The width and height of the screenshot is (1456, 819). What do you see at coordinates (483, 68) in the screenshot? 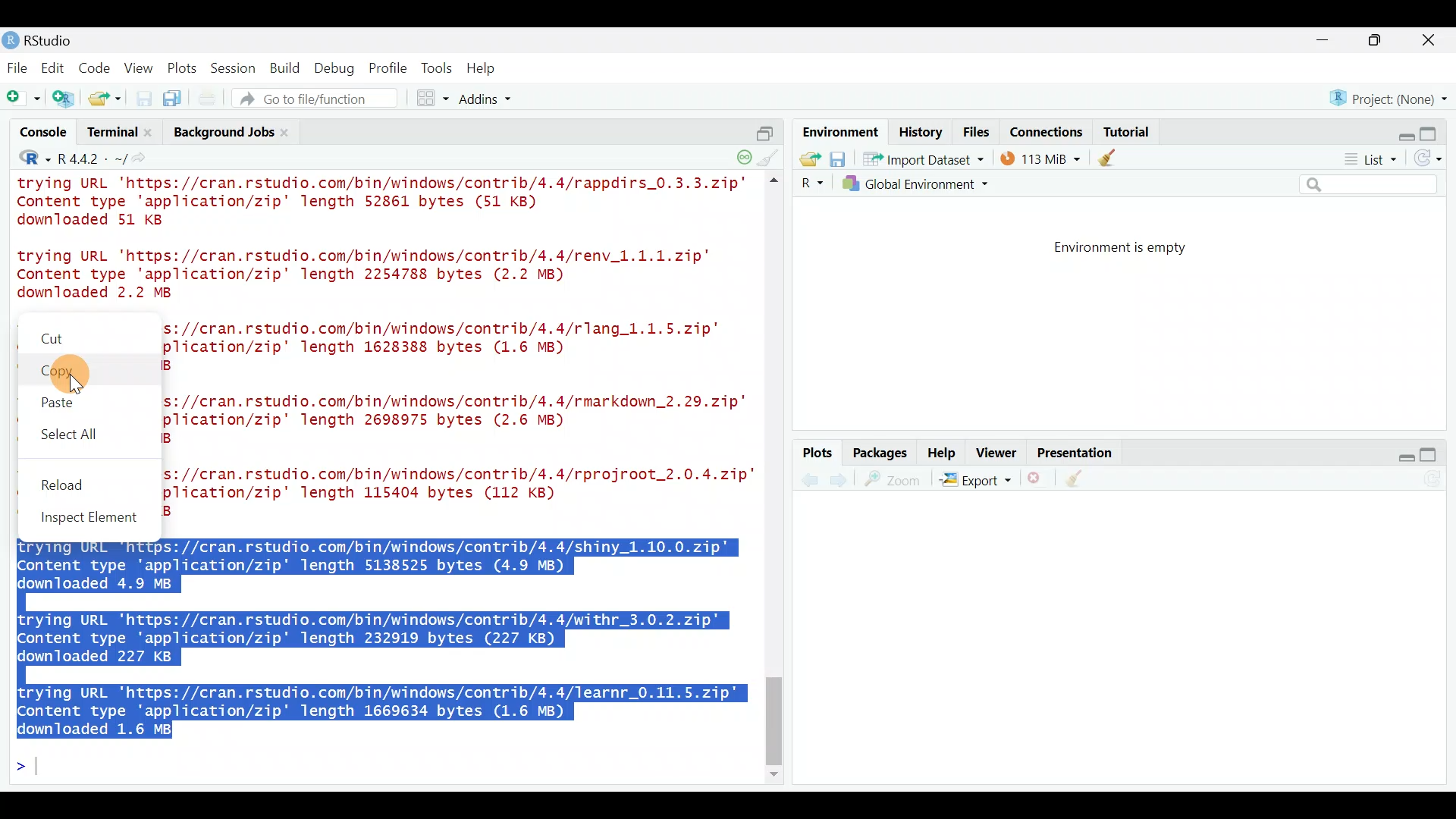
I see `Help` at bounding box center [483, 68].